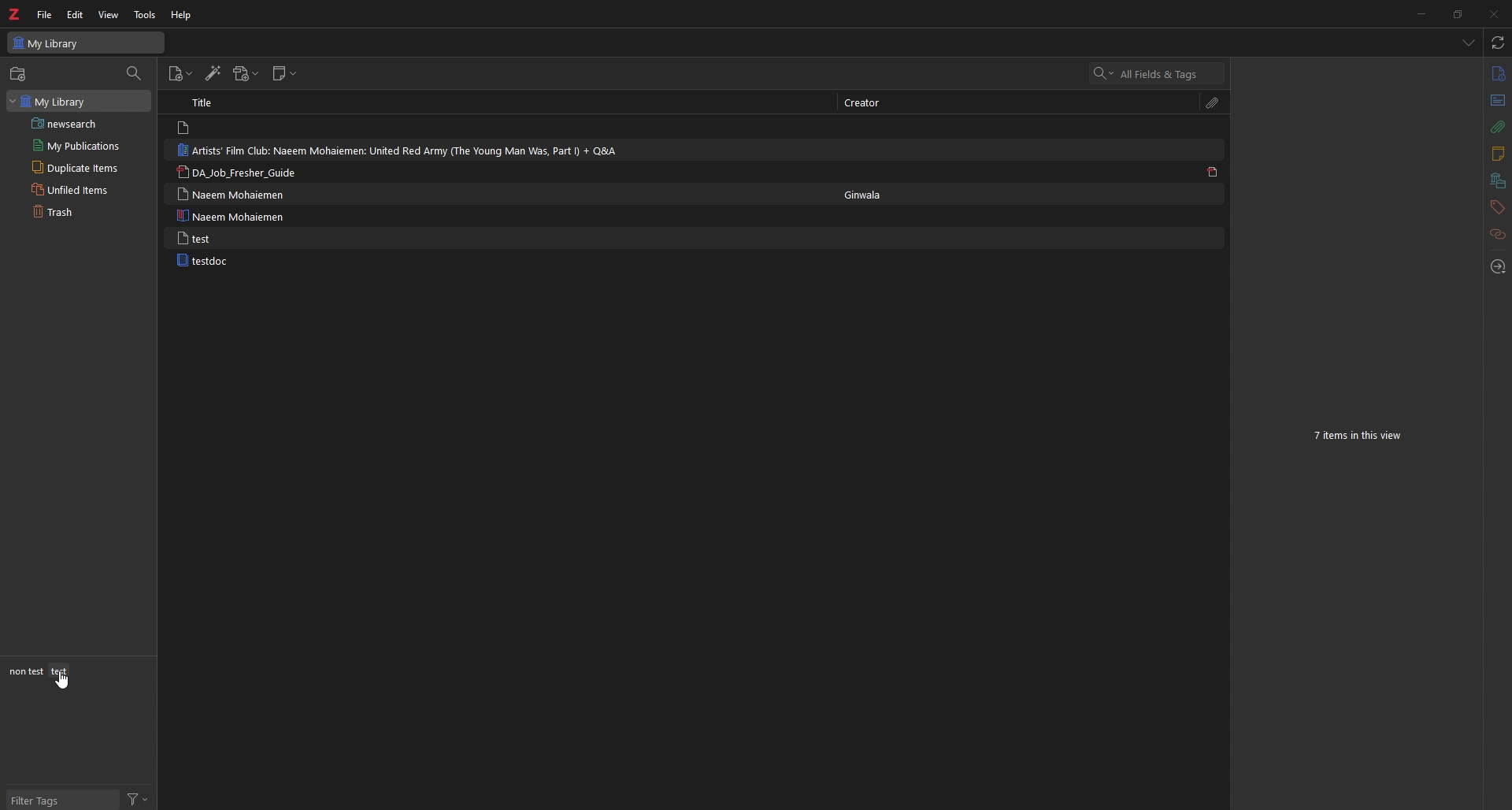 Image resolution: width=1512 pixels, height=810 pixels. I want to click on saved search, so click(83, 124).